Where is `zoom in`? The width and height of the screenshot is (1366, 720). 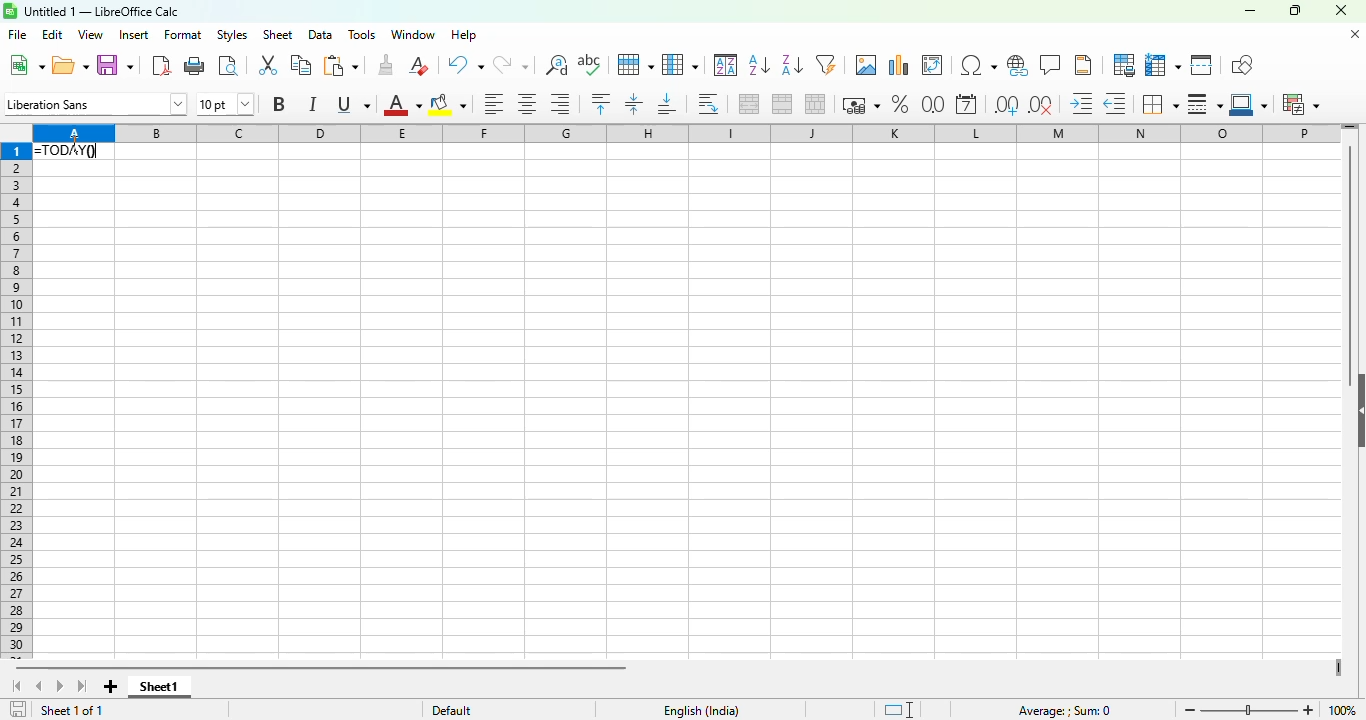
zoom in is located at coordinates (1308, 710).